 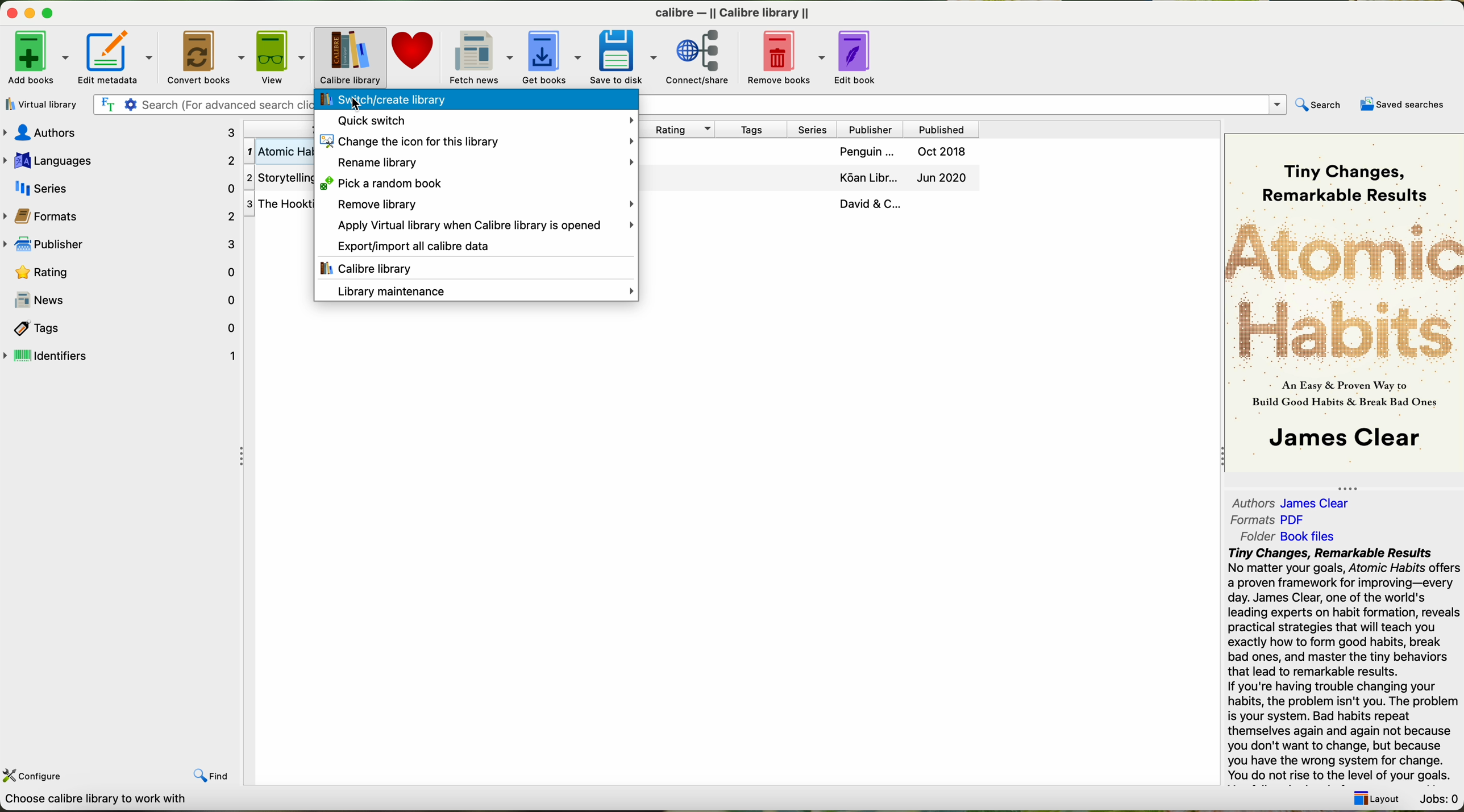 I want to click on authors, so click(x=124, y=132).